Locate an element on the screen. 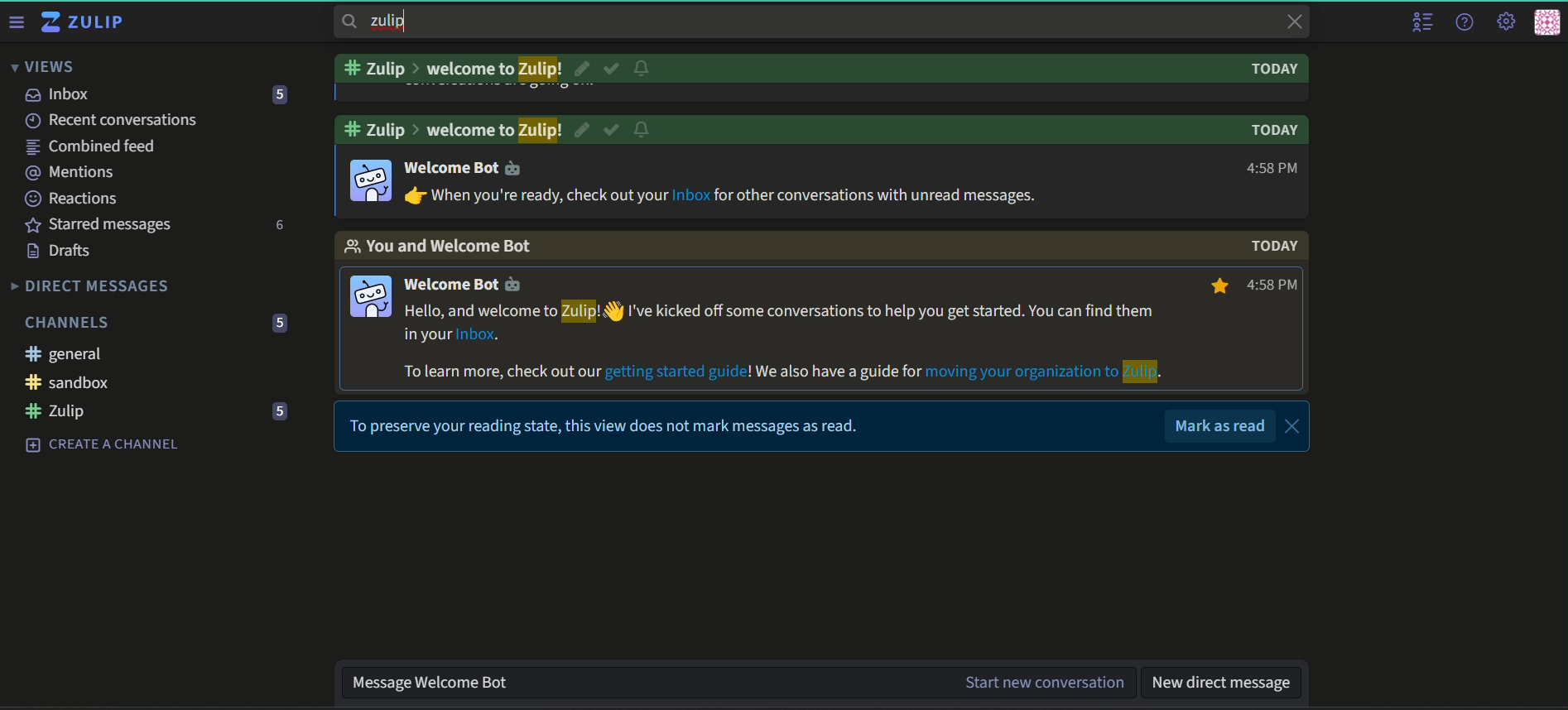  #Zulip is located at coordinates (68, 411).